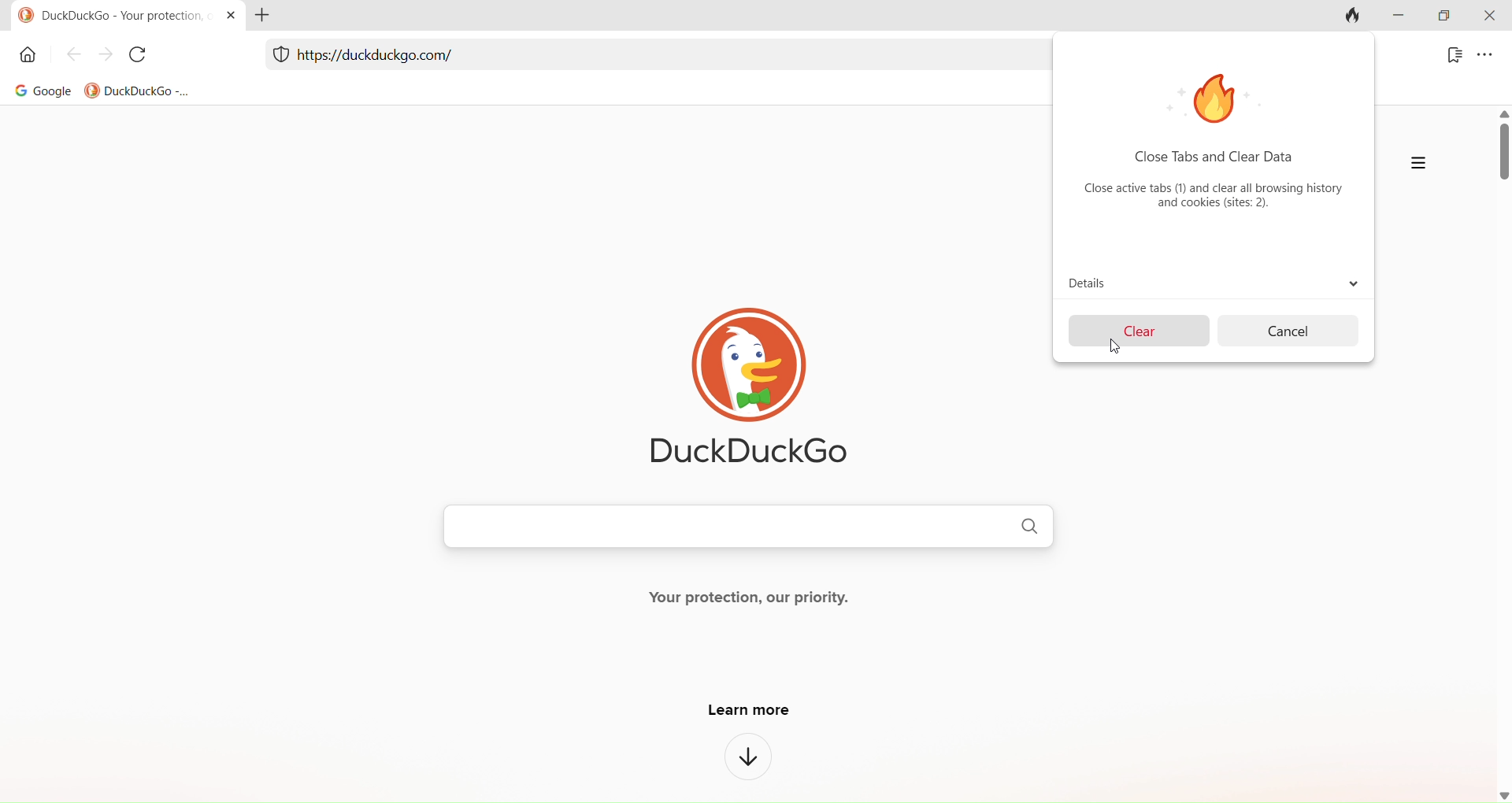 The height and width of the screenshot is (803, 1512). I want to click on details, so click(1213, 283).